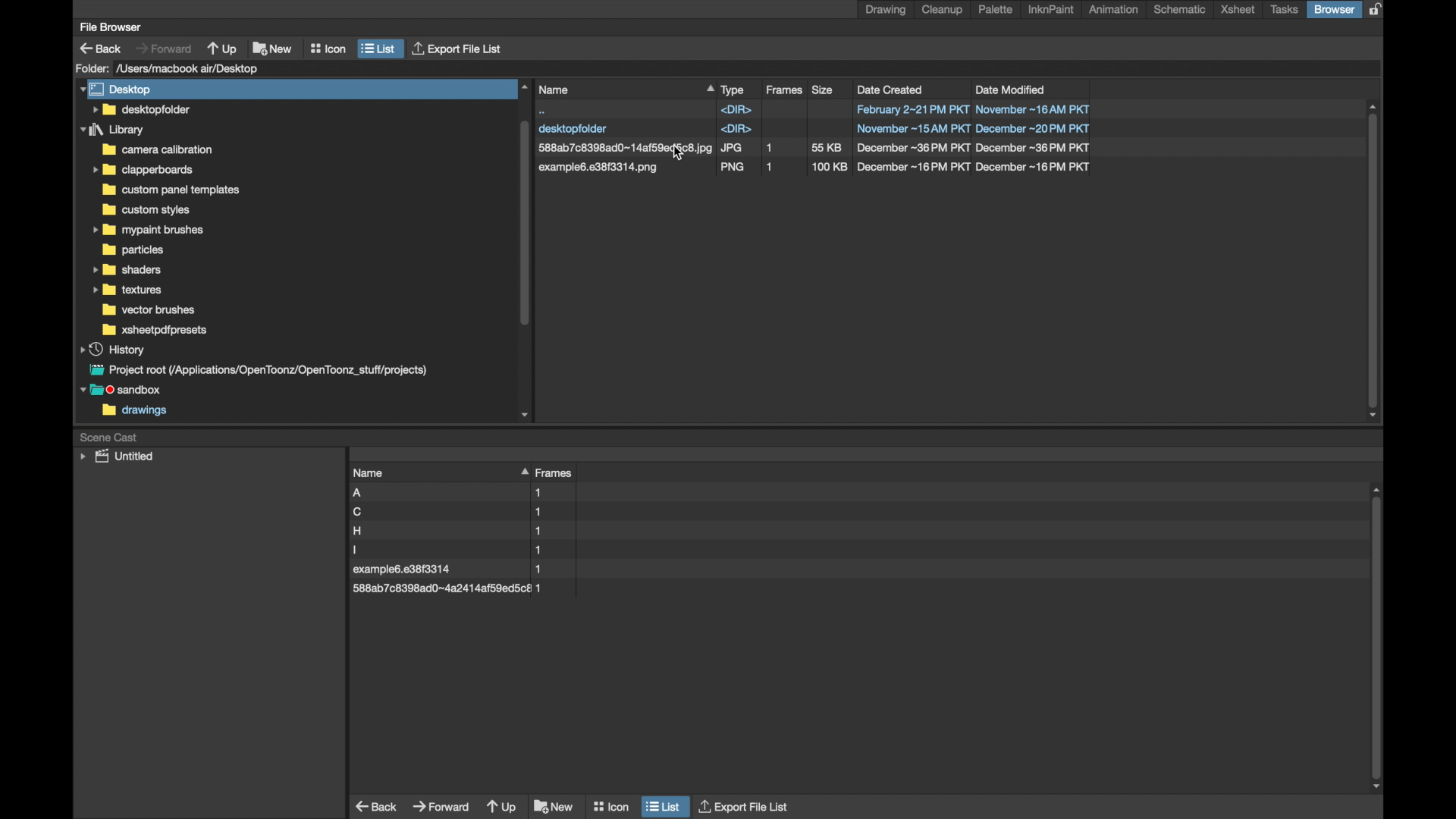  I want to click on icon, so click(328, 49).